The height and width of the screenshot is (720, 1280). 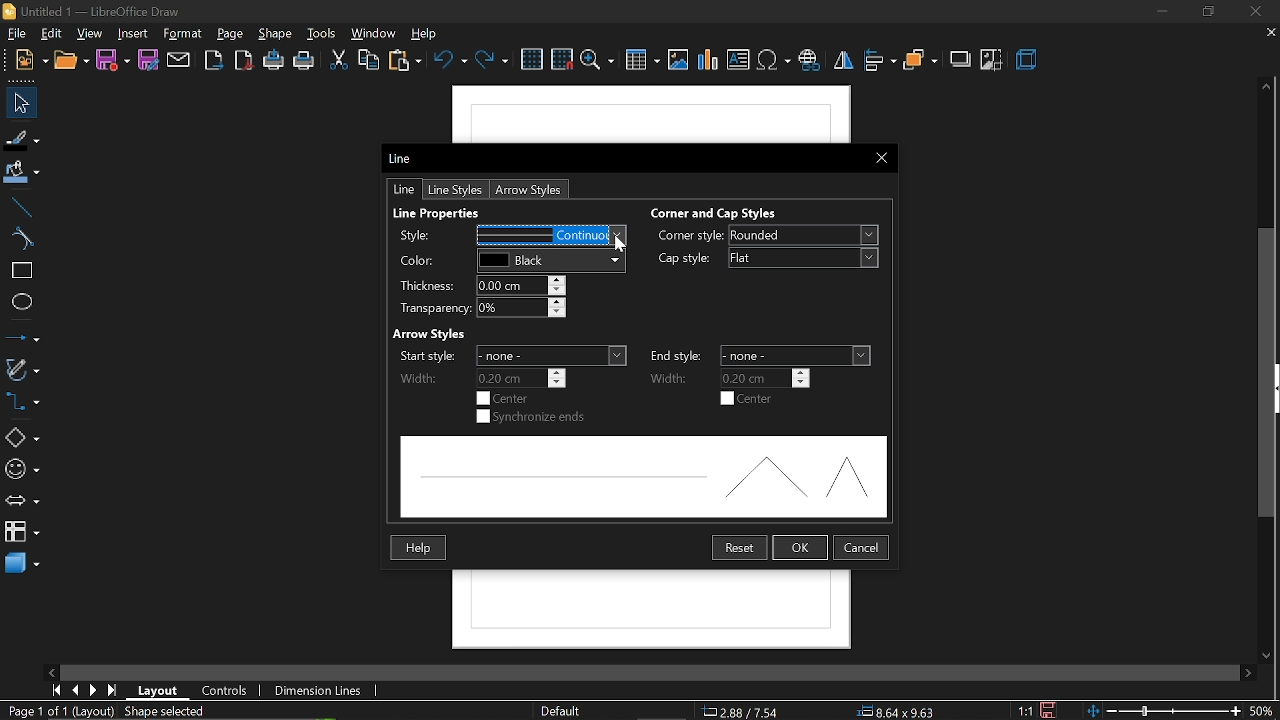 I want to click on thickness, so click(x=479, y=285).